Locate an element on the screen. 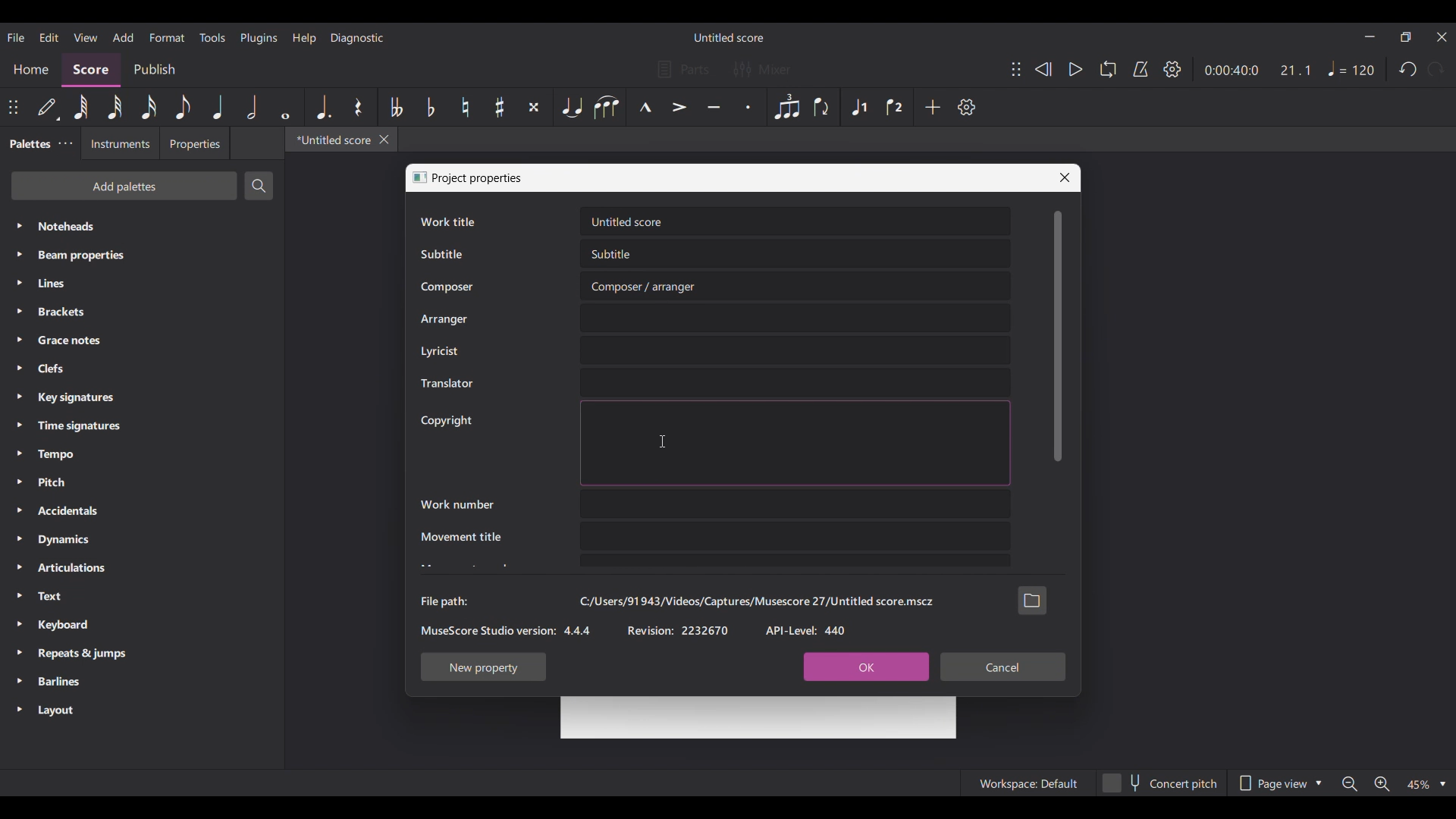 The image size is (1456, 819). Work title is located at coordinates (447, 221).